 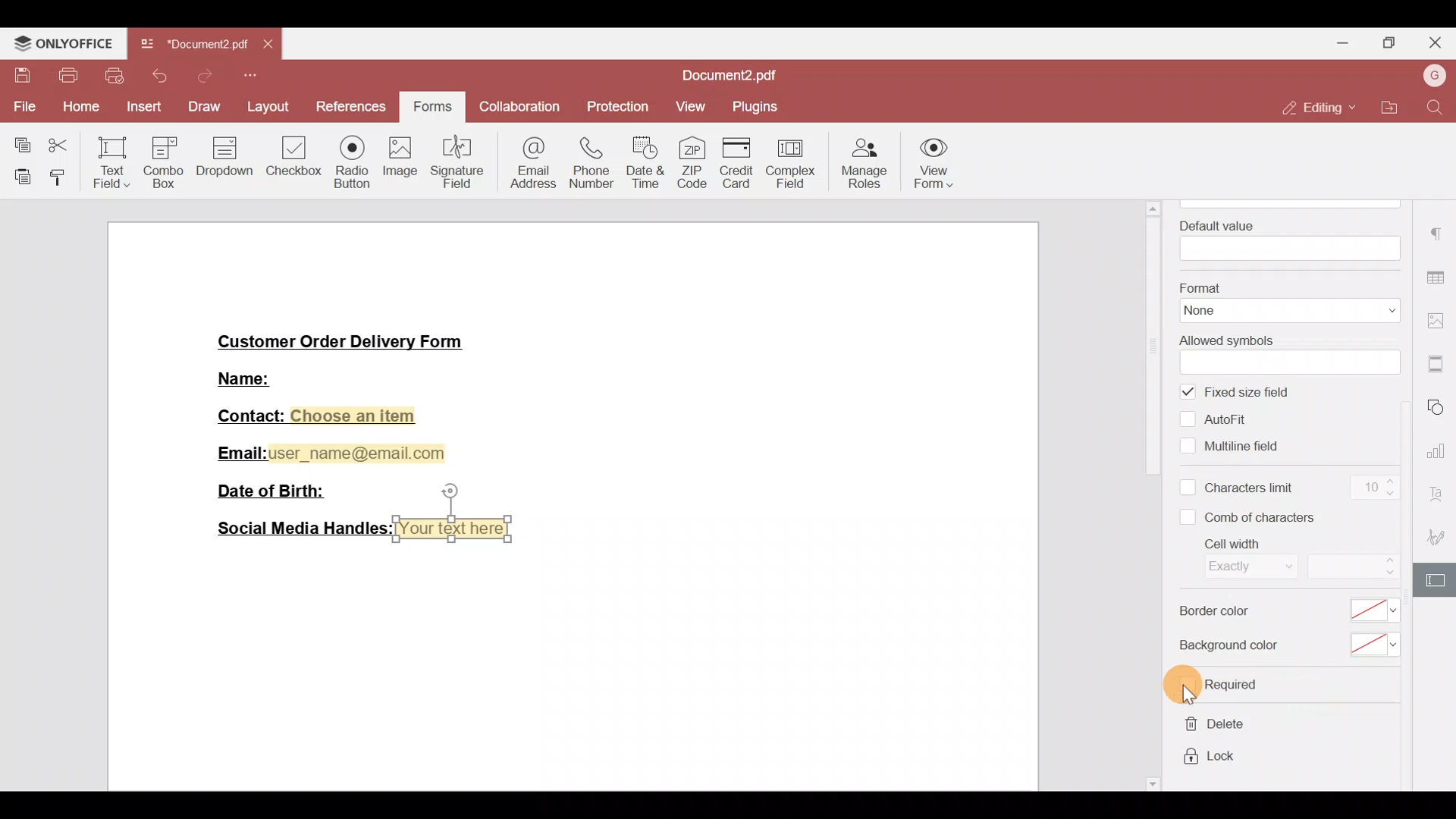 I want to click on Paragraph settings, so click(x=1439, y=236).